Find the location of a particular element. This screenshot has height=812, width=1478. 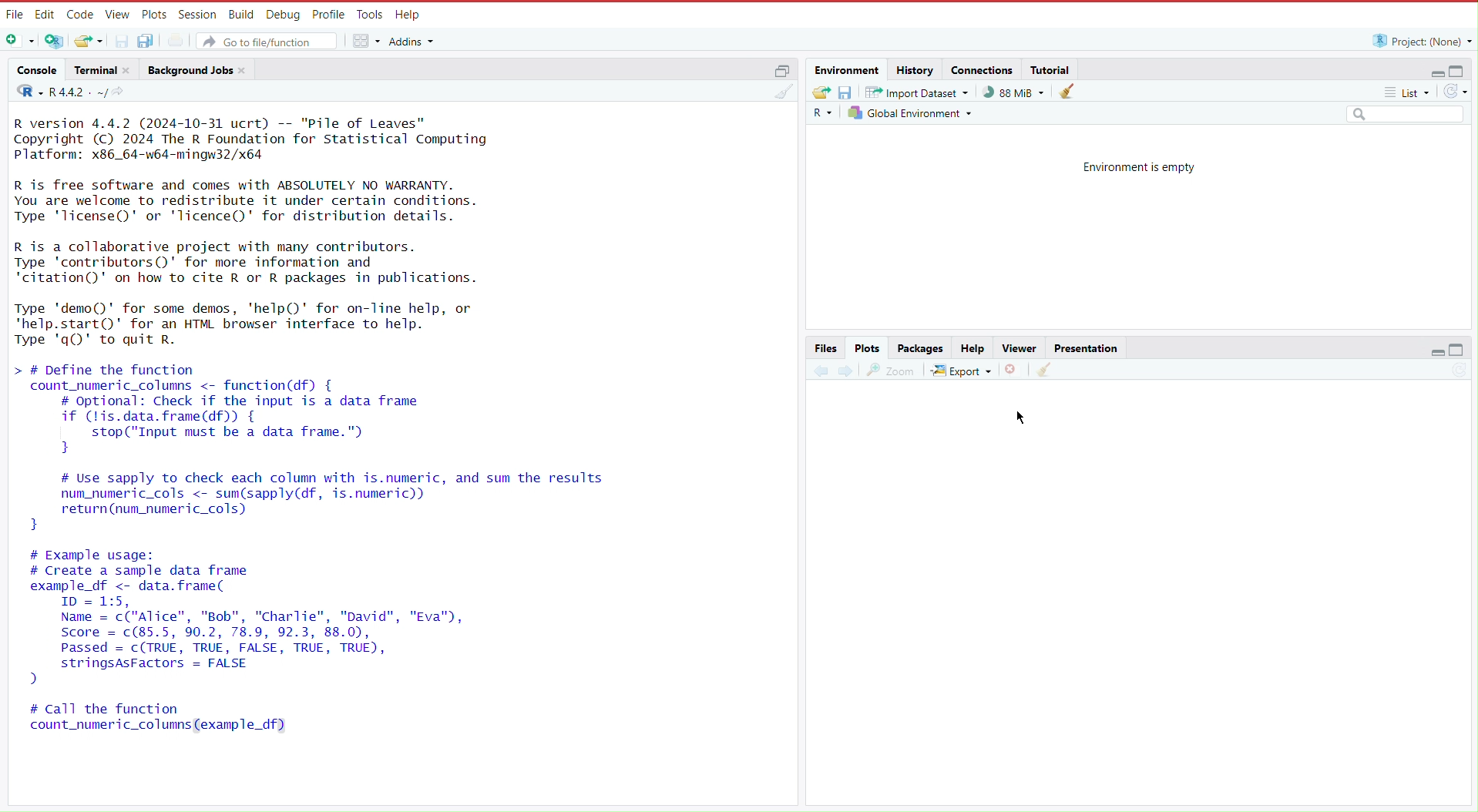

Presentation is located at coordinates (1086, 347).